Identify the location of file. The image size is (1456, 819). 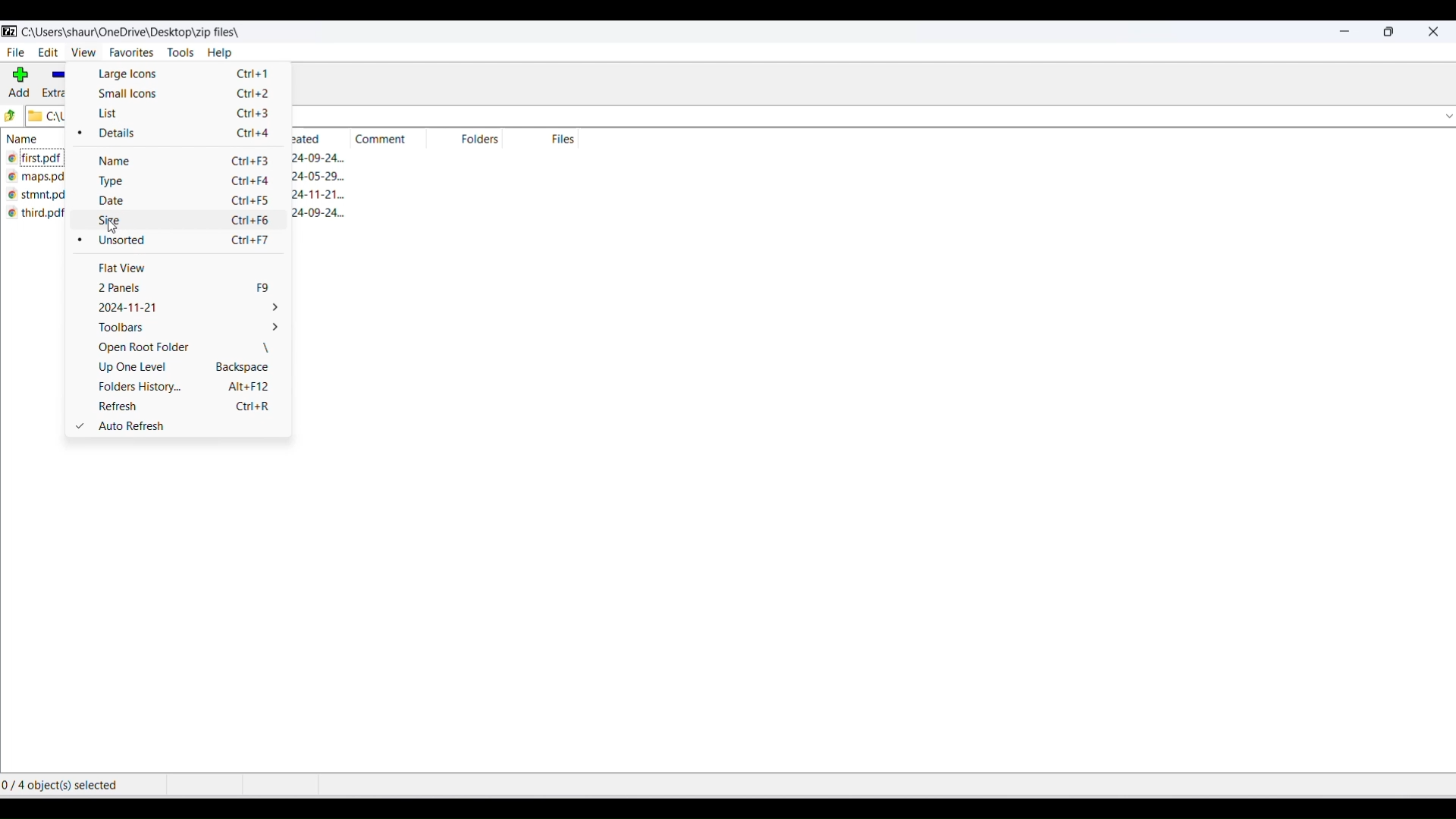
(16, 53).